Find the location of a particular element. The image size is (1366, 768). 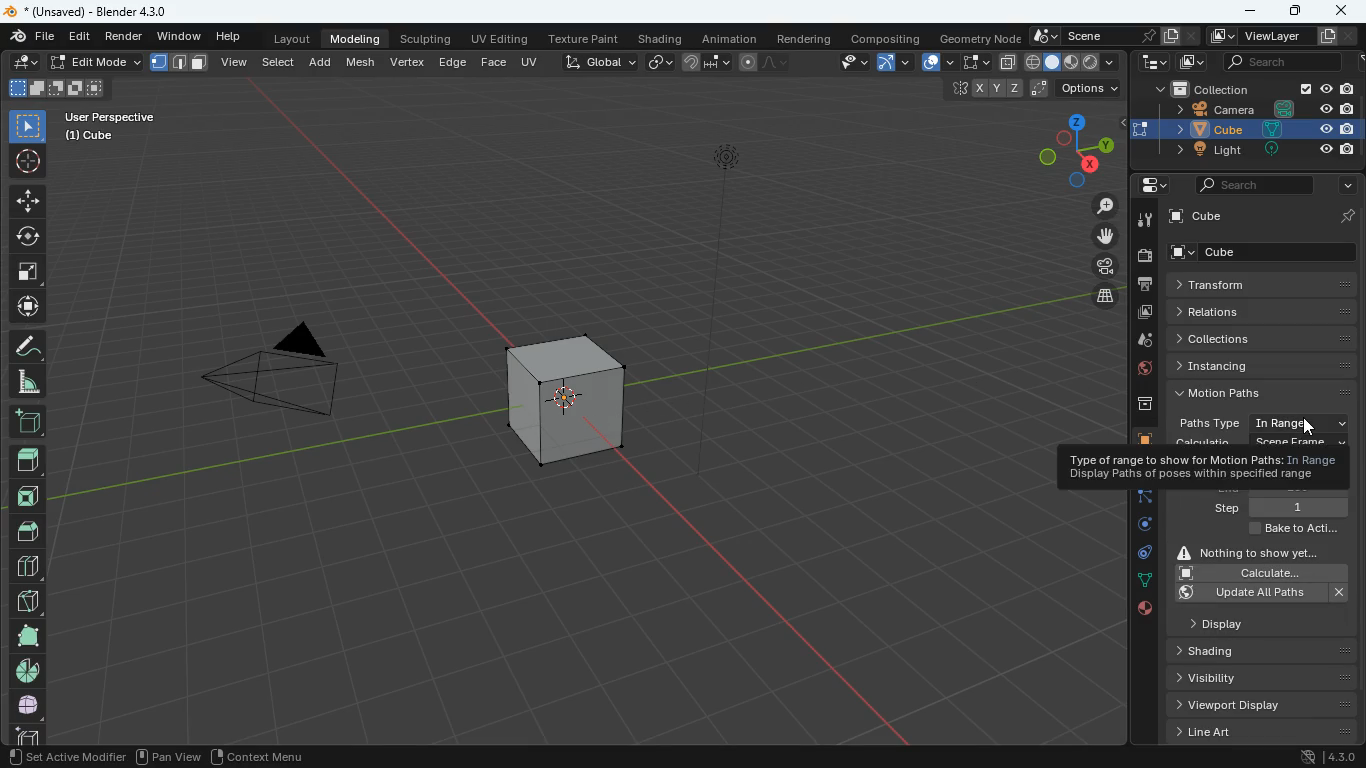

draw is located at coordinates (761, 62).